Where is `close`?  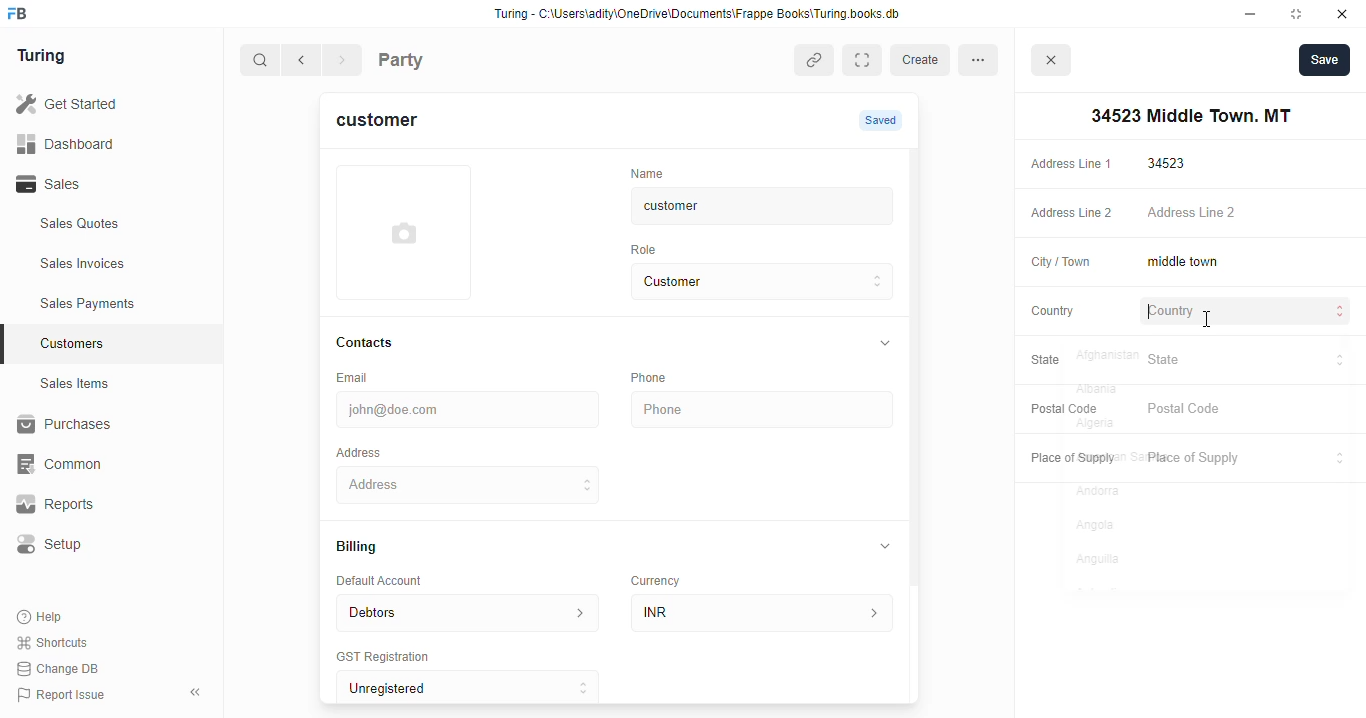
close is located at coordinates (1345, 14).